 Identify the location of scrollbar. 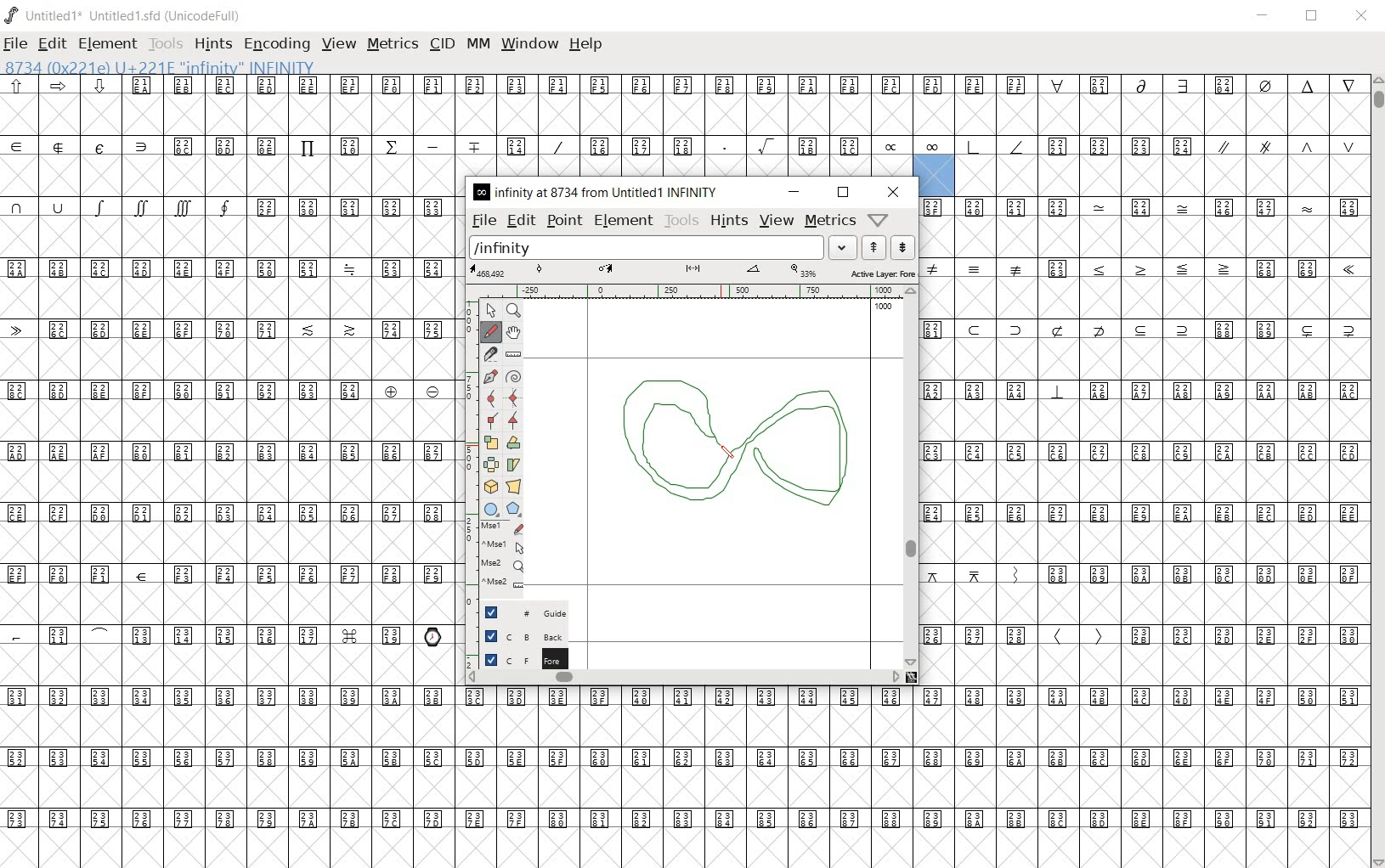
(914, 476).